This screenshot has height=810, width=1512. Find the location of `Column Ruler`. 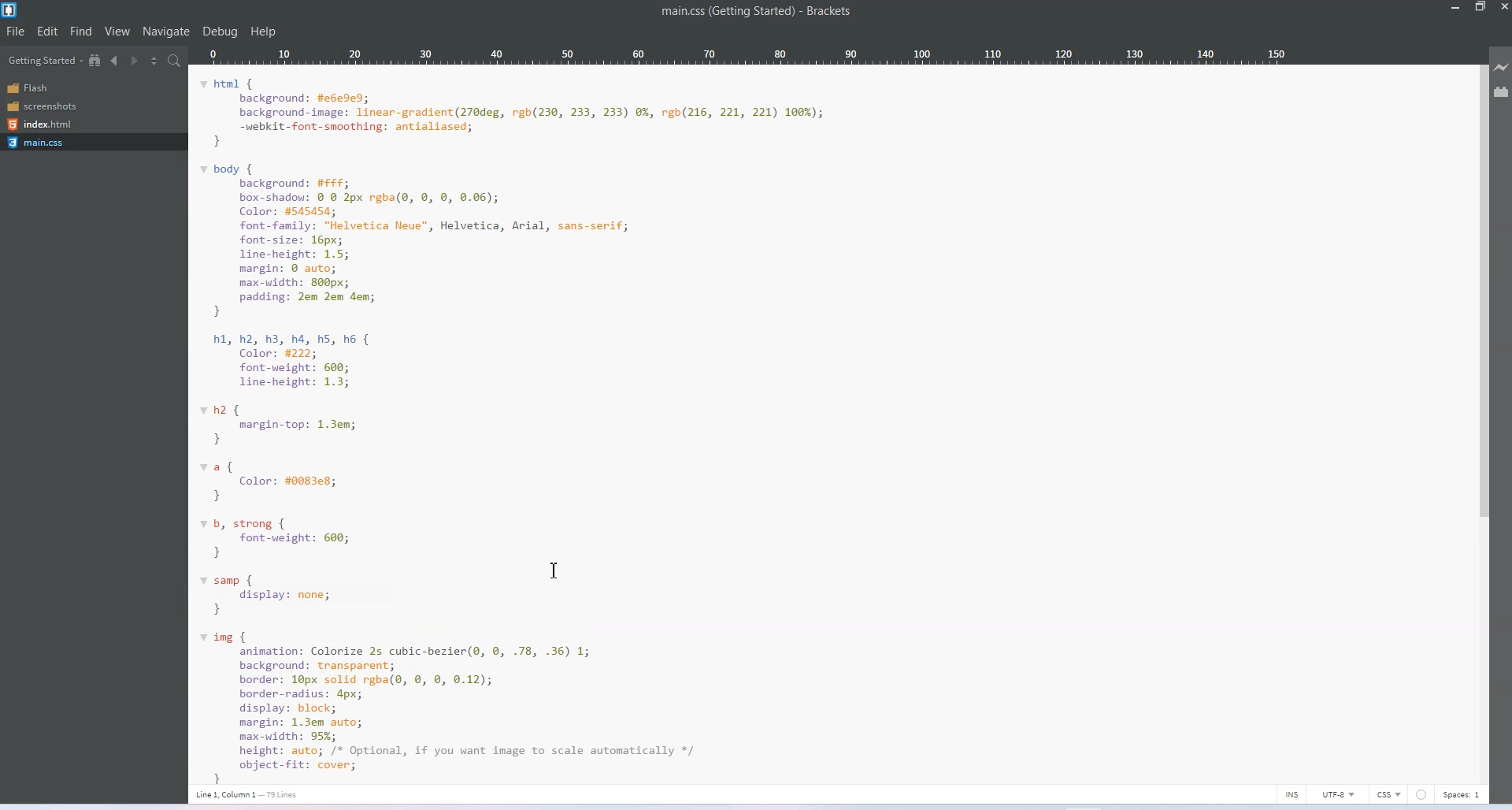

Column Ruler is located at coordinates (746, 56).